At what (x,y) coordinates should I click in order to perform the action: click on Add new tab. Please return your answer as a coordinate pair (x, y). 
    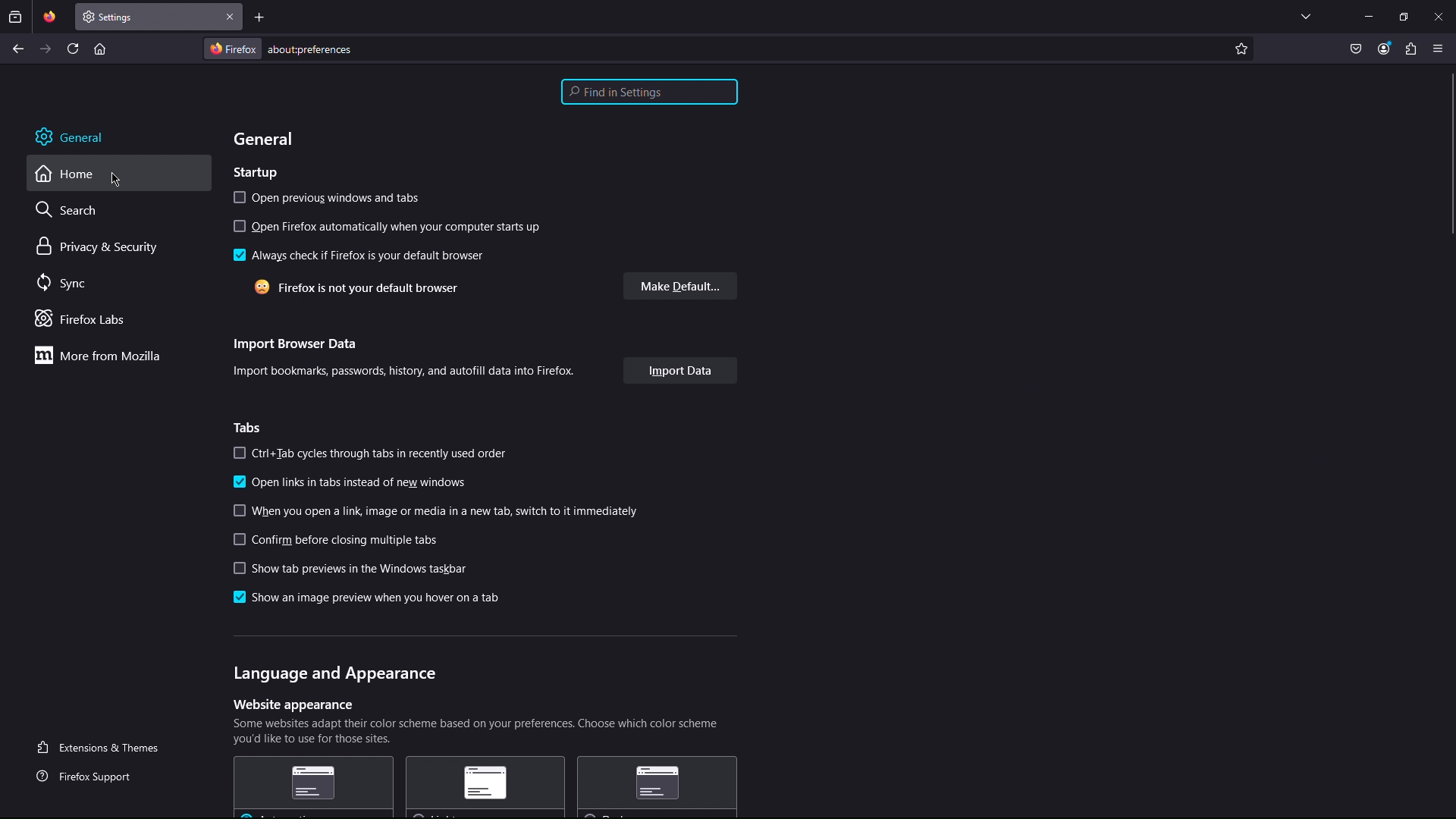
    Looking at the image, I should click on (260, 17).